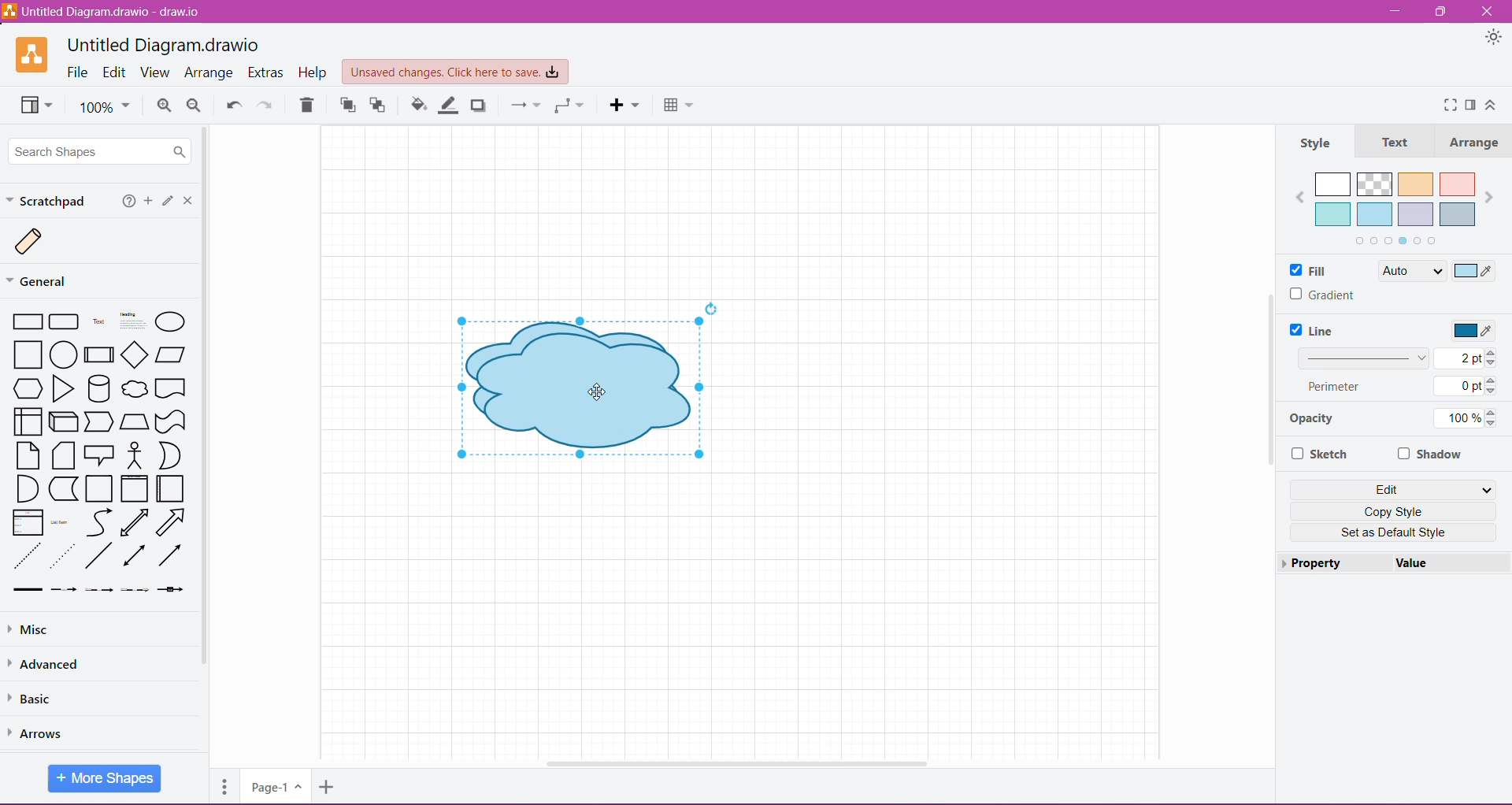  I want to click on Search Shapes, so click(98, 150).